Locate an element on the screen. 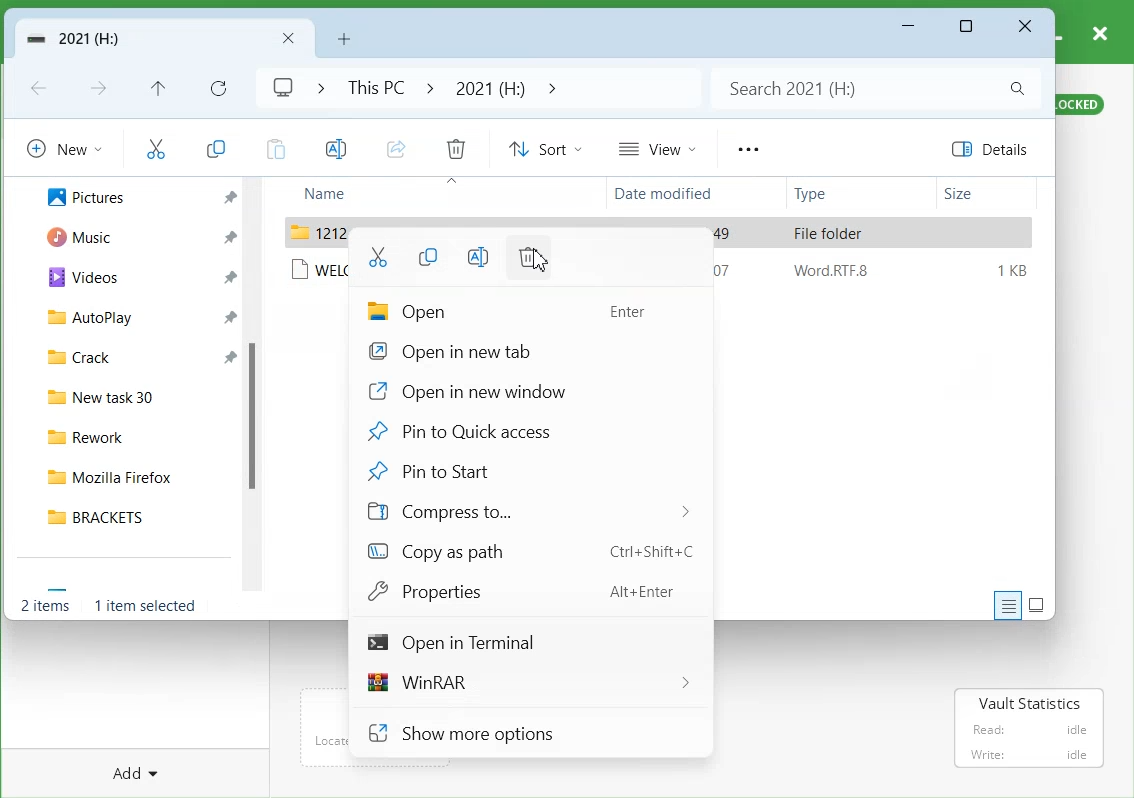 The height and width of the screenshot is (798, 1134). Open in Terminal is located at coordinates (526, 642).